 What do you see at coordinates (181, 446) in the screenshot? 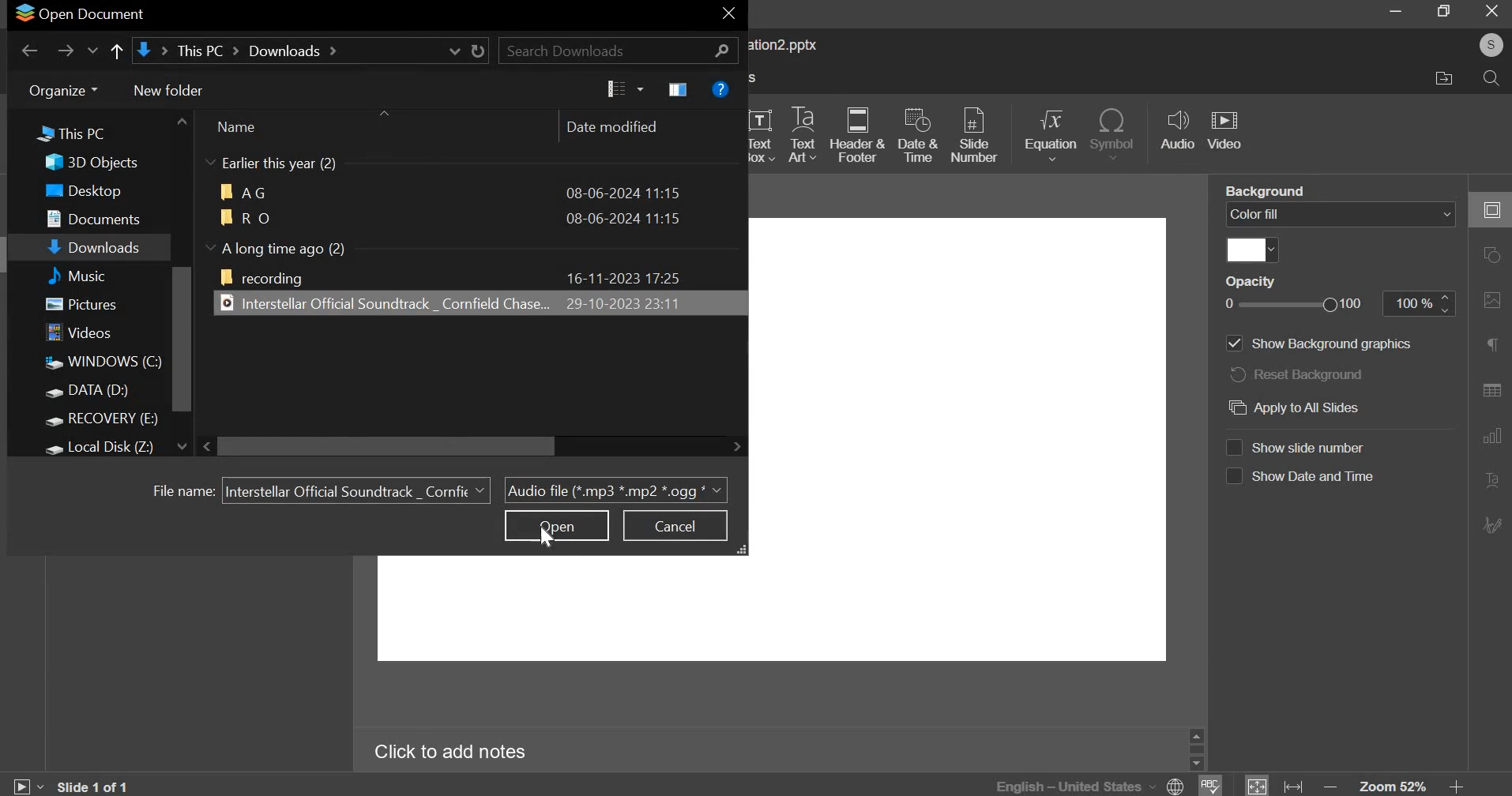
I see `scroll down` at bounding box center [181, 446].